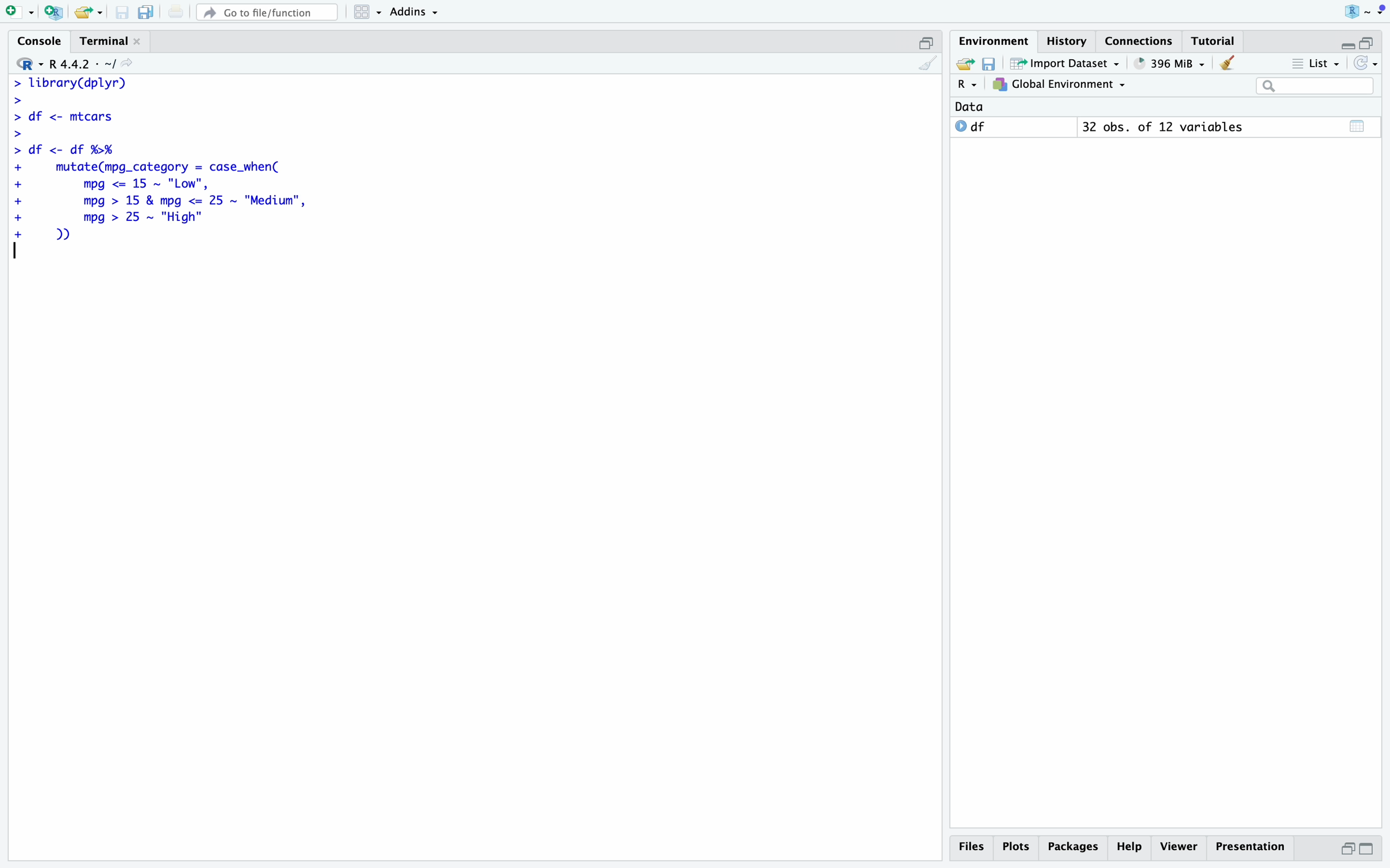 This screenshot has width=1390, height=868. Describe the element at coordinates (106, 41) in the screenshot. I see `terminal` at that location.